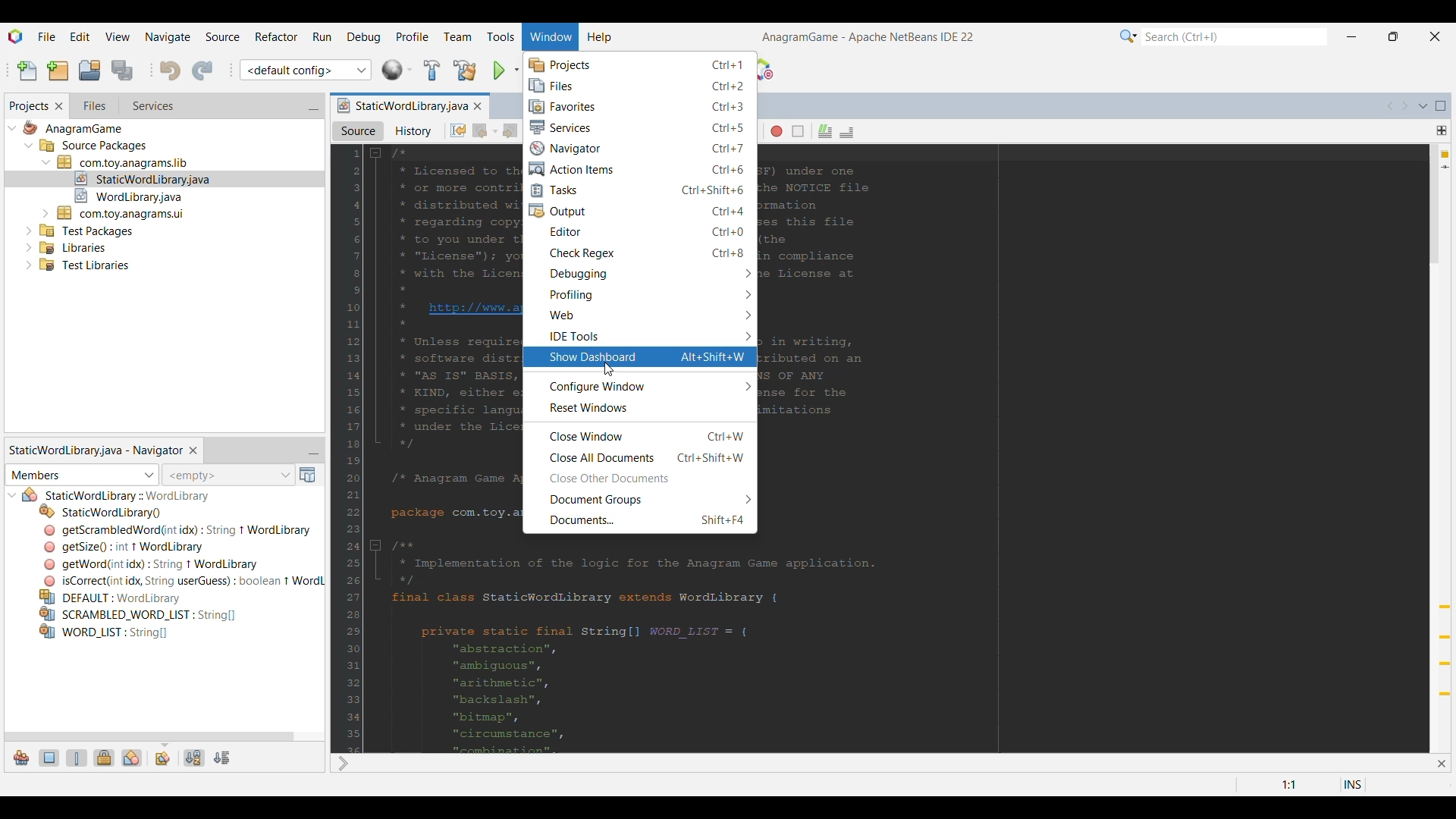 The height and width of the screenshot is (819, 1456). I want to click on Reset window, so click(640, 408).